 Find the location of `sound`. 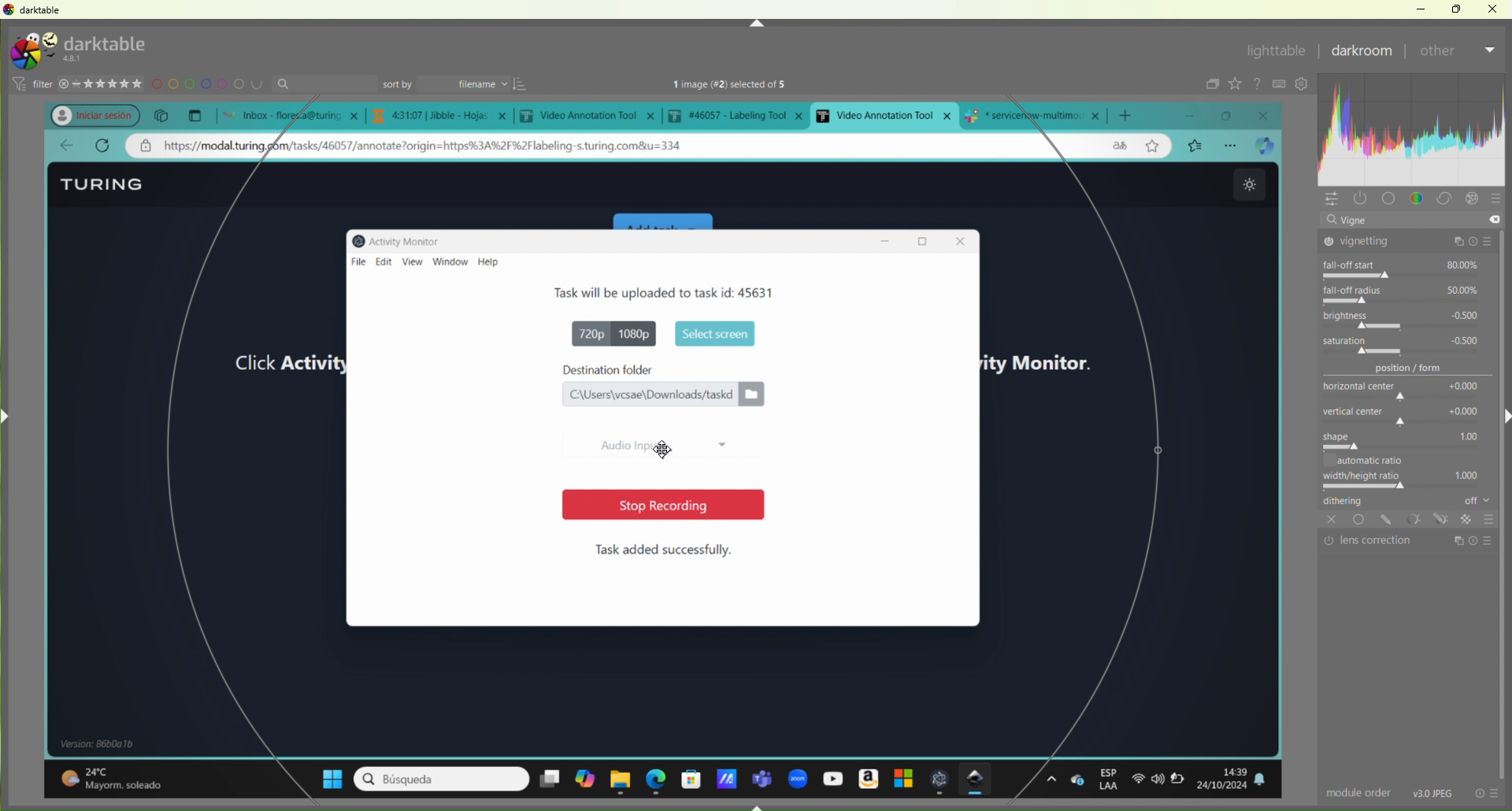

sound is located at coordinates (1158, 780).